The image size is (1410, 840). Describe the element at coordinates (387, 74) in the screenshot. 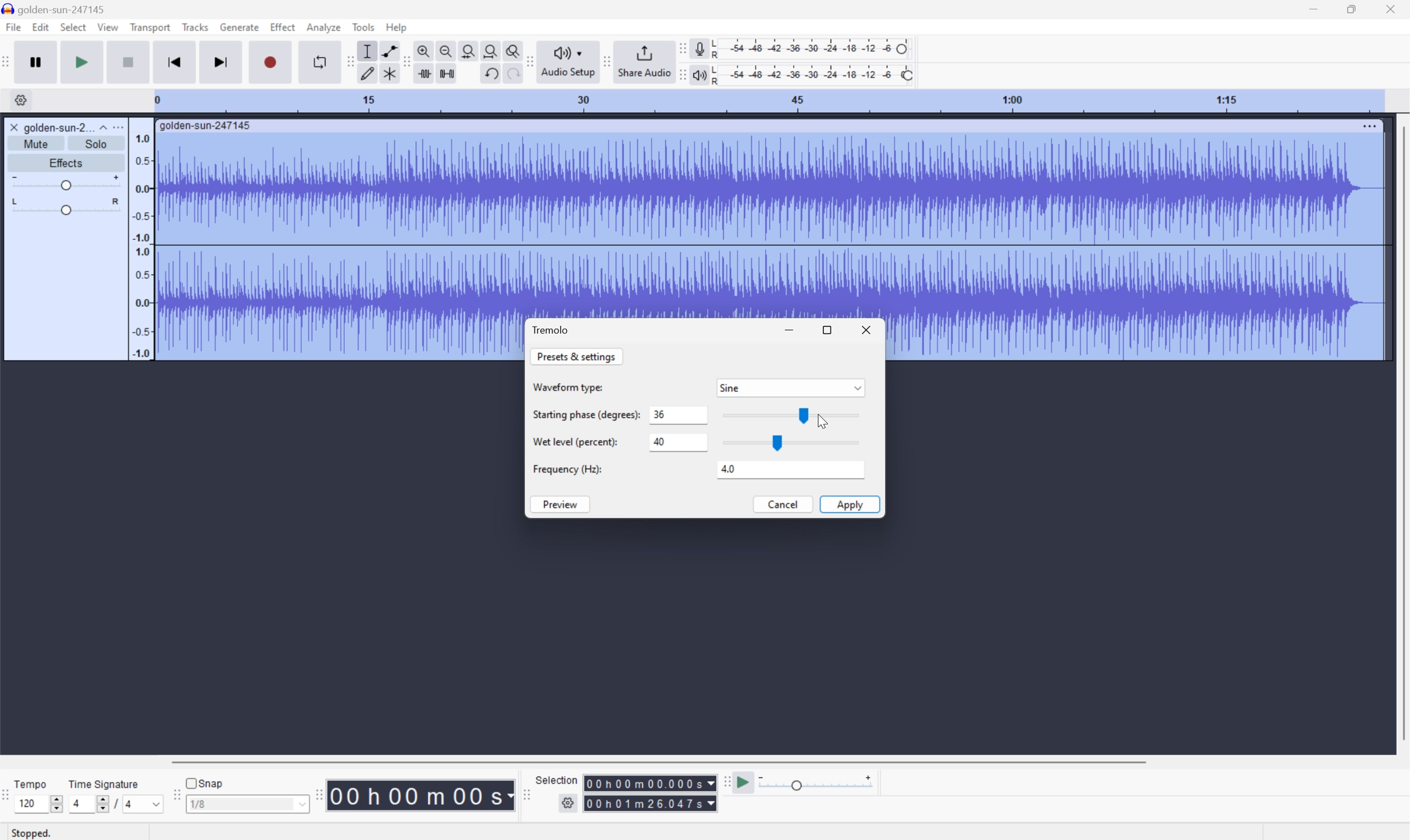

I see `Multi tool` at that location.